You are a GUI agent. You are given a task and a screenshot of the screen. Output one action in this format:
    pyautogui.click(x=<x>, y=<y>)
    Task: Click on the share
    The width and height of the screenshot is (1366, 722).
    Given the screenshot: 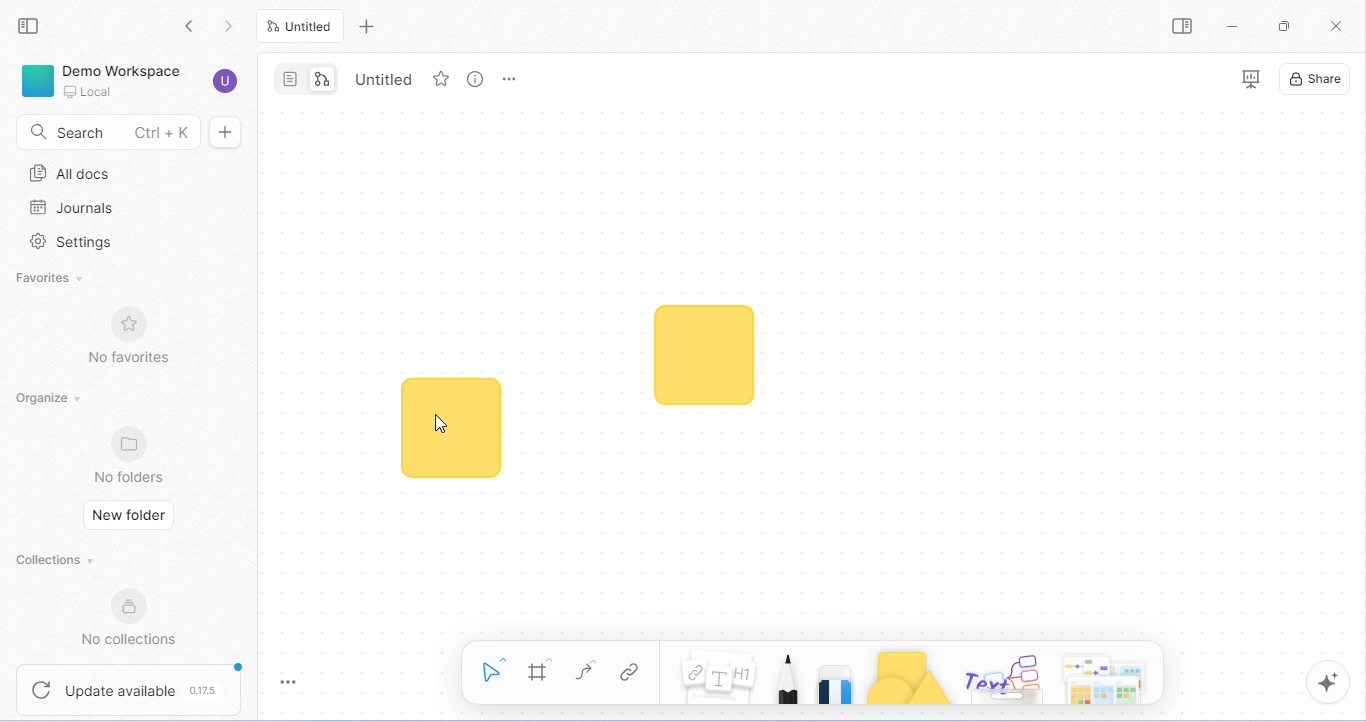 What is the action you would take?
    pyautogui.click(x=1319, y=81)
    